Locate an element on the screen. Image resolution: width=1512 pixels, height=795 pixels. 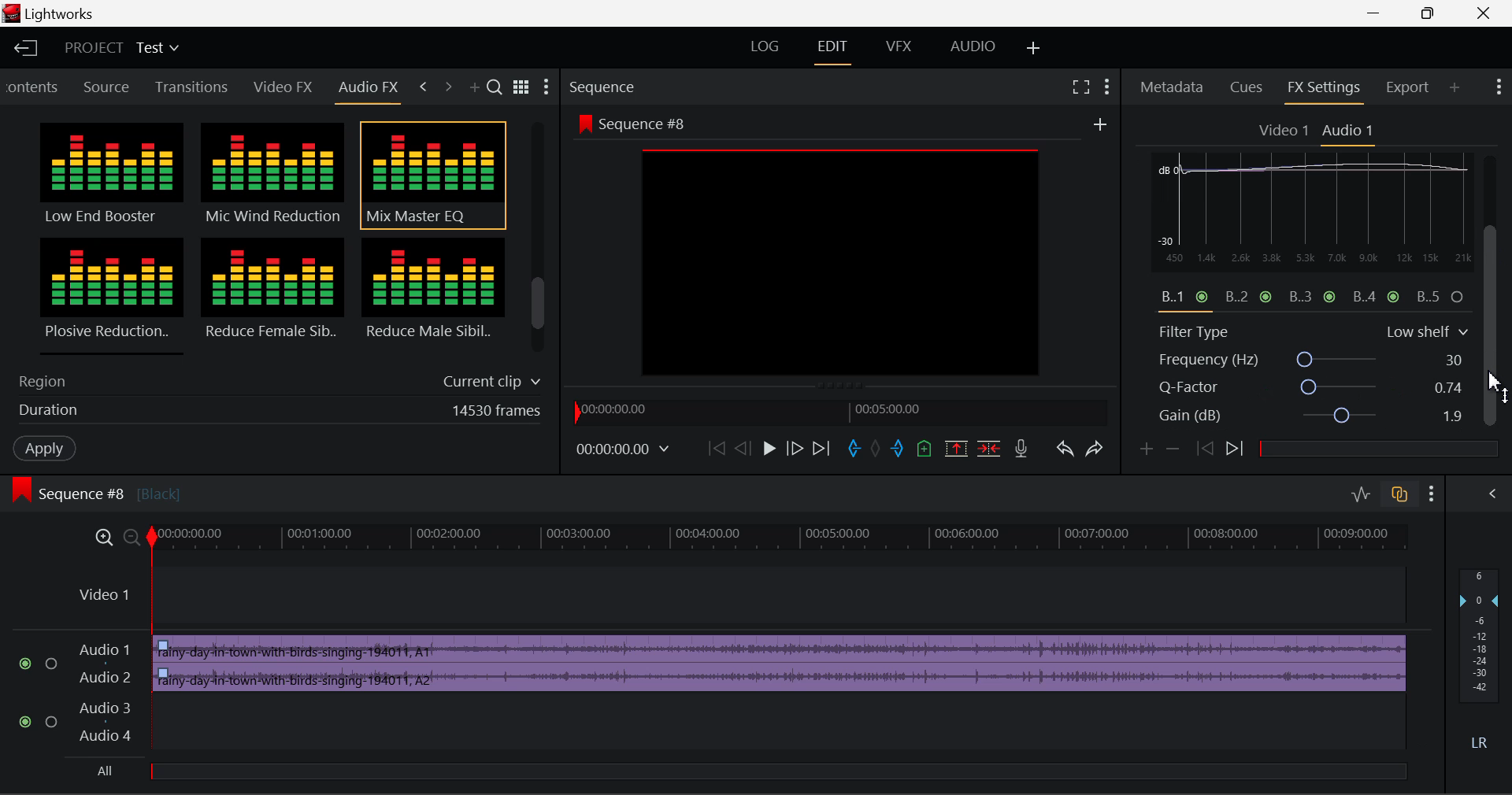
Next keyframe is located at coordinates (1238, 449).